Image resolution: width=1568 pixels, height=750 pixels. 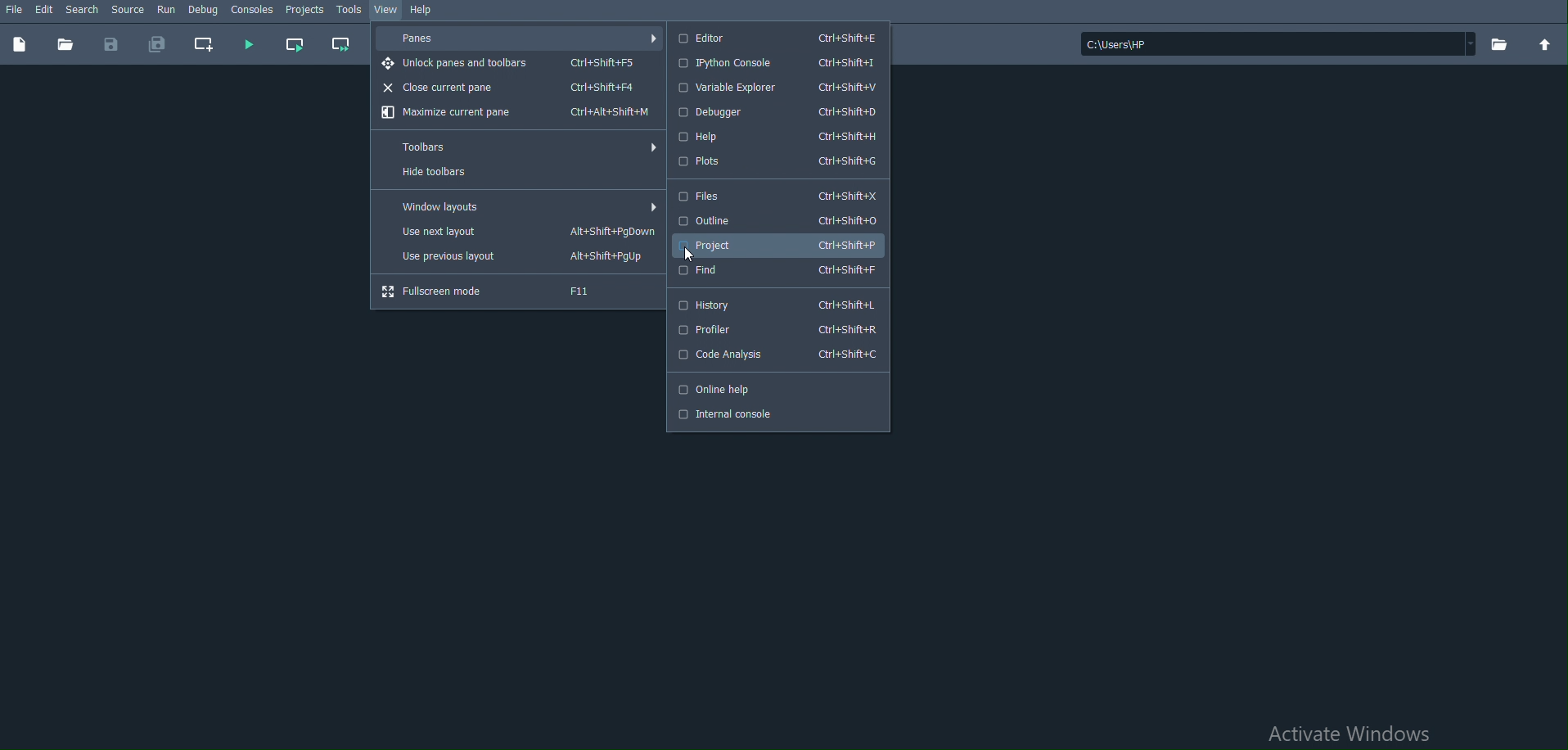 I want to click on Maximize current pane, so click(x=516, y=111).